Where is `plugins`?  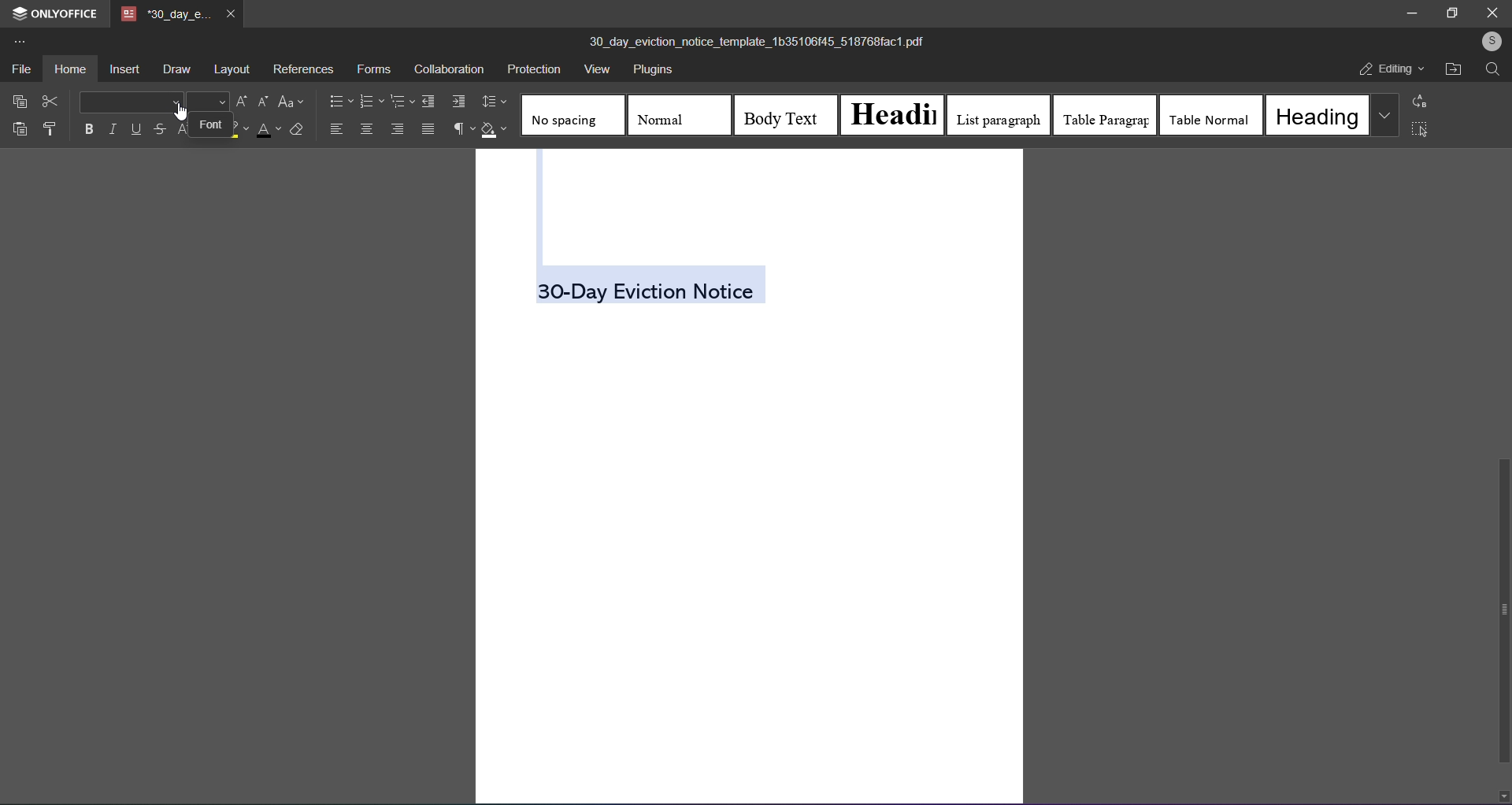
plugins is located at coordinates (650, 72).